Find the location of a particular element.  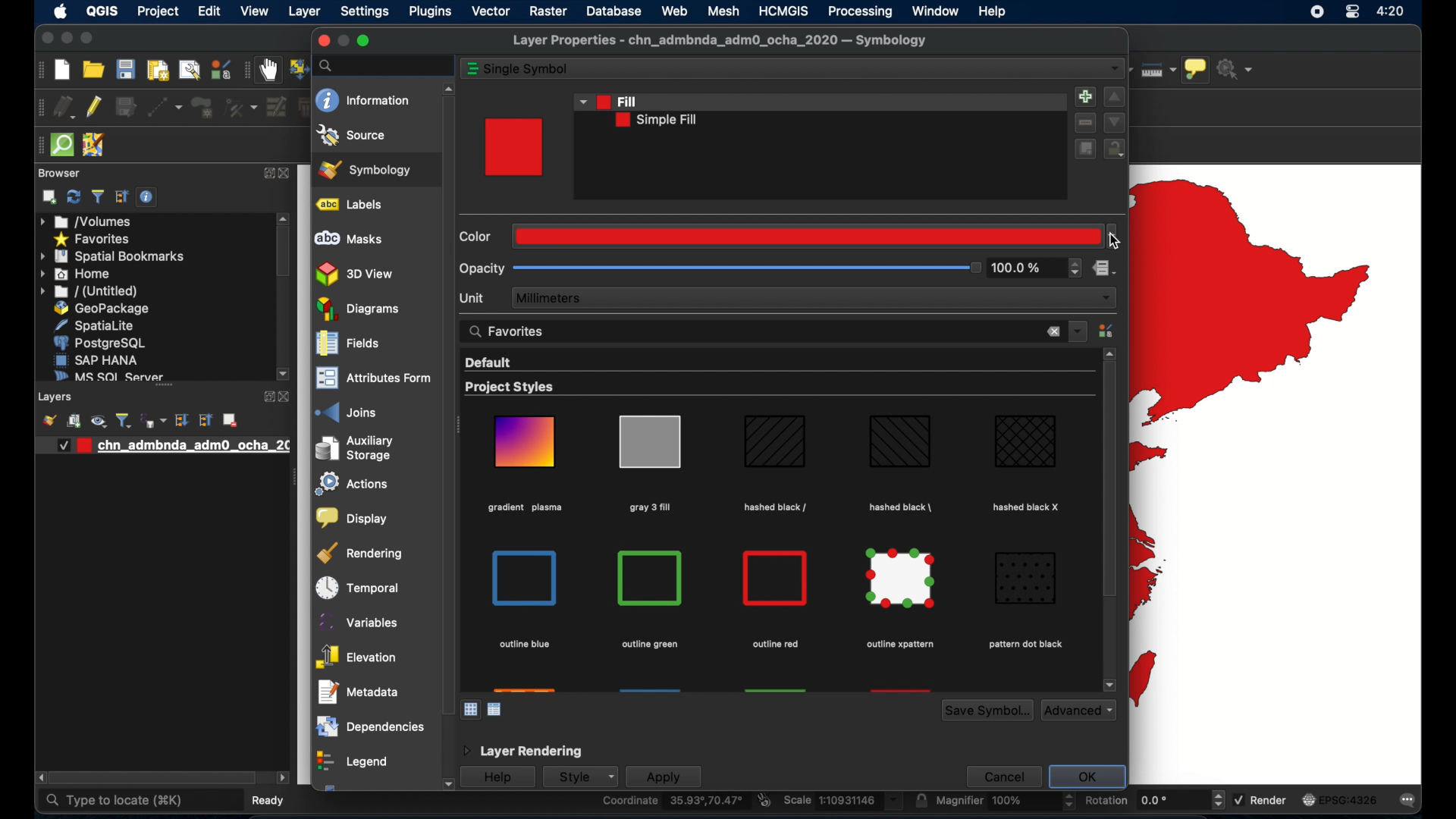

scroll left arrow is located at coordinates (283, 778).